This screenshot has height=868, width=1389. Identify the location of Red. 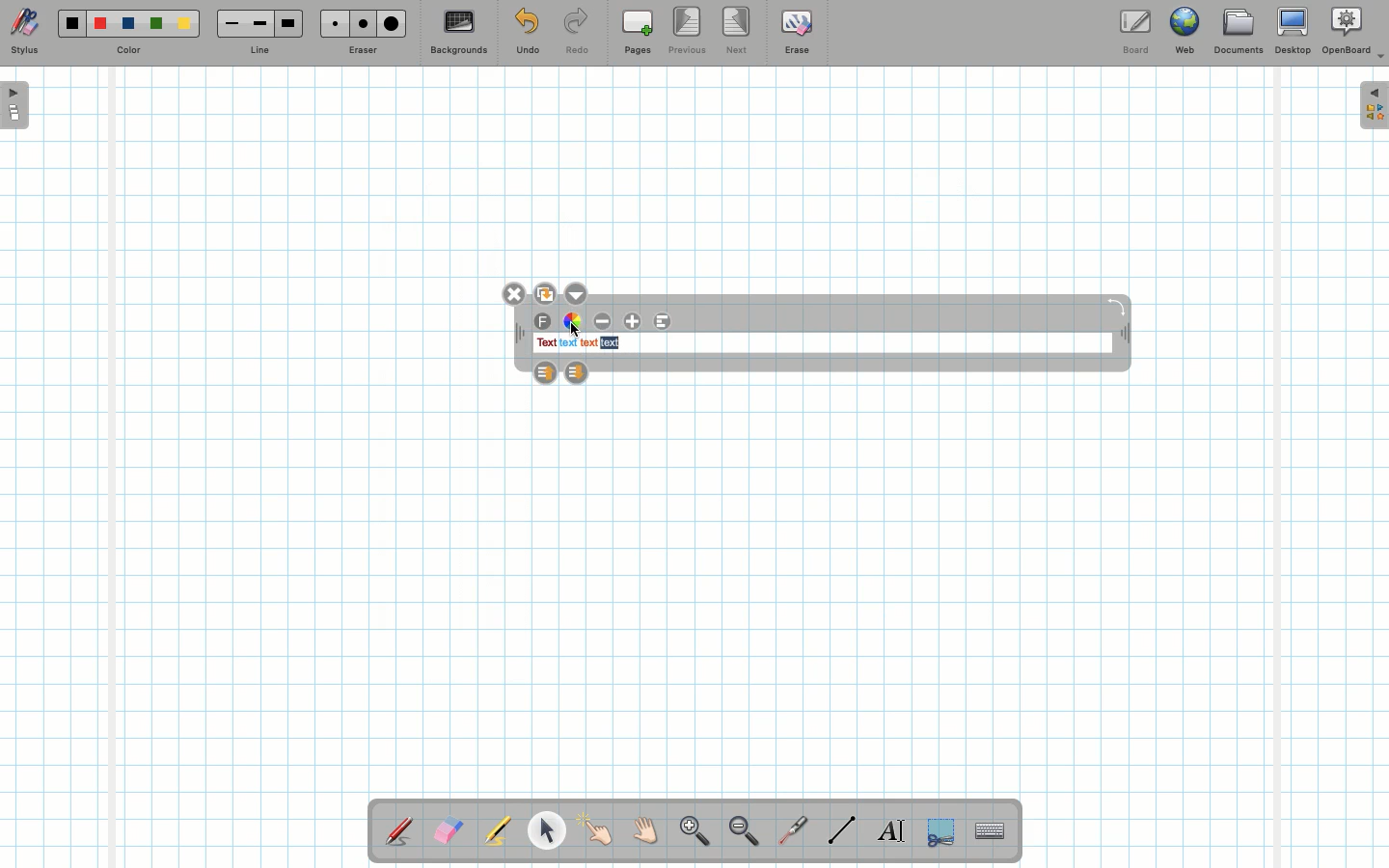
(101, 24).